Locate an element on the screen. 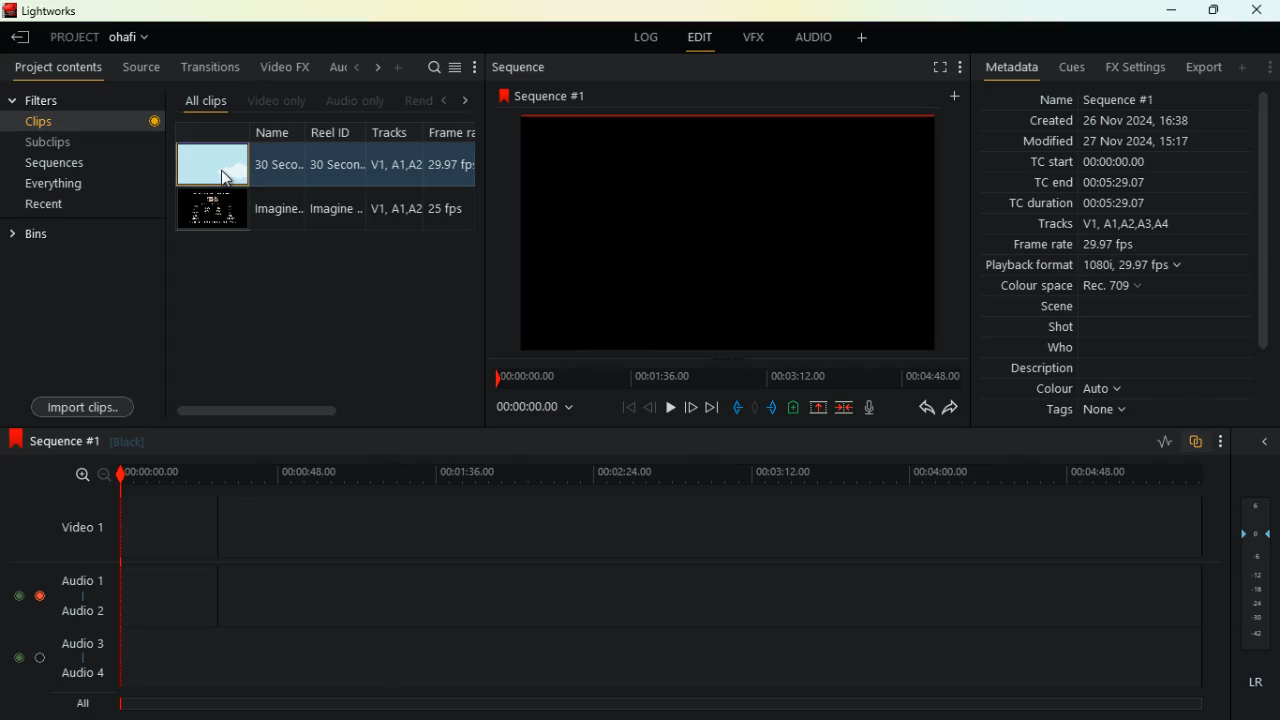  clips is located at coordinates (63, 121).